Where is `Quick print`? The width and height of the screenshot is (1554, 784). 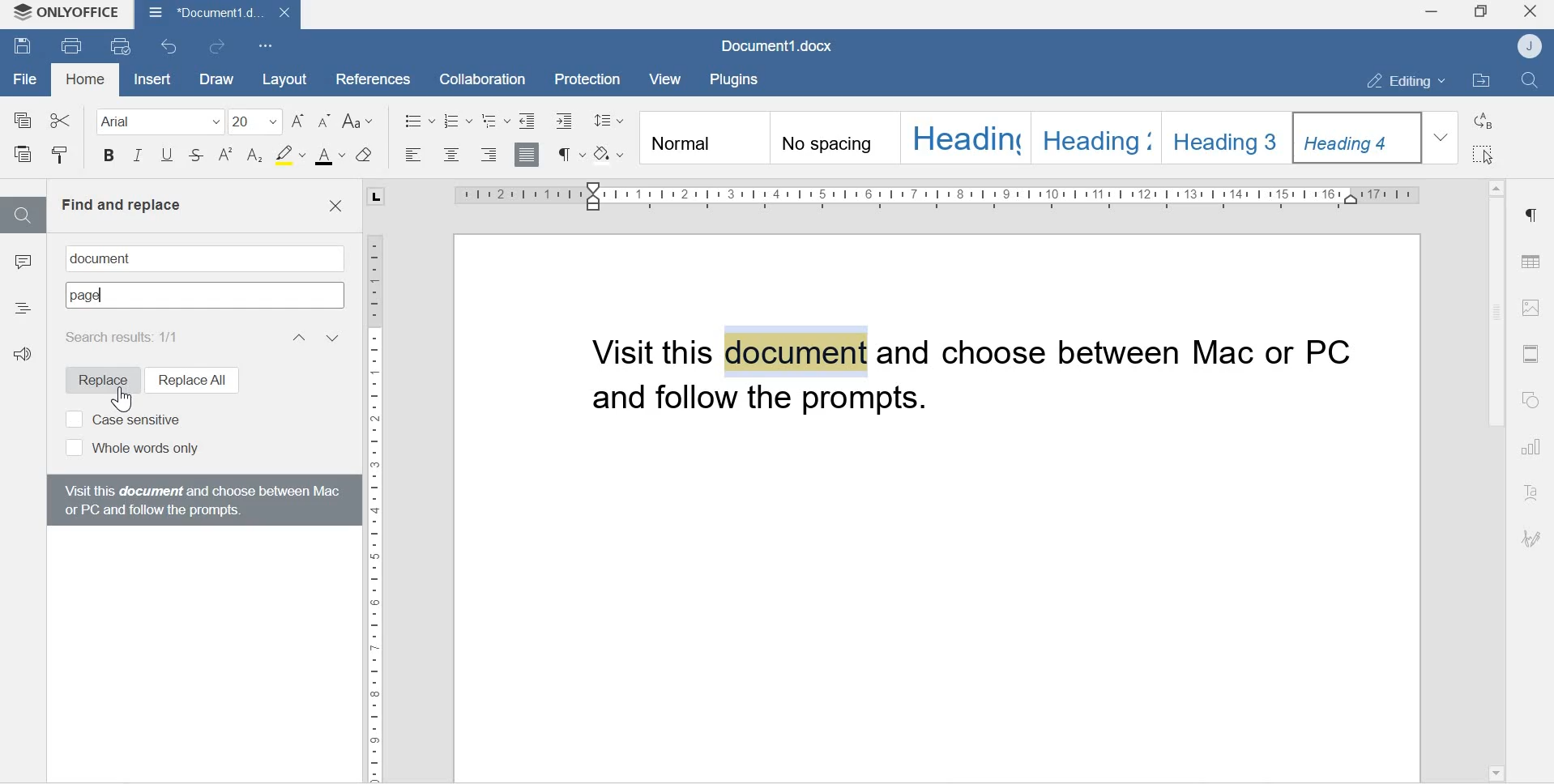
Quick print is located at coordinates (122, 47).